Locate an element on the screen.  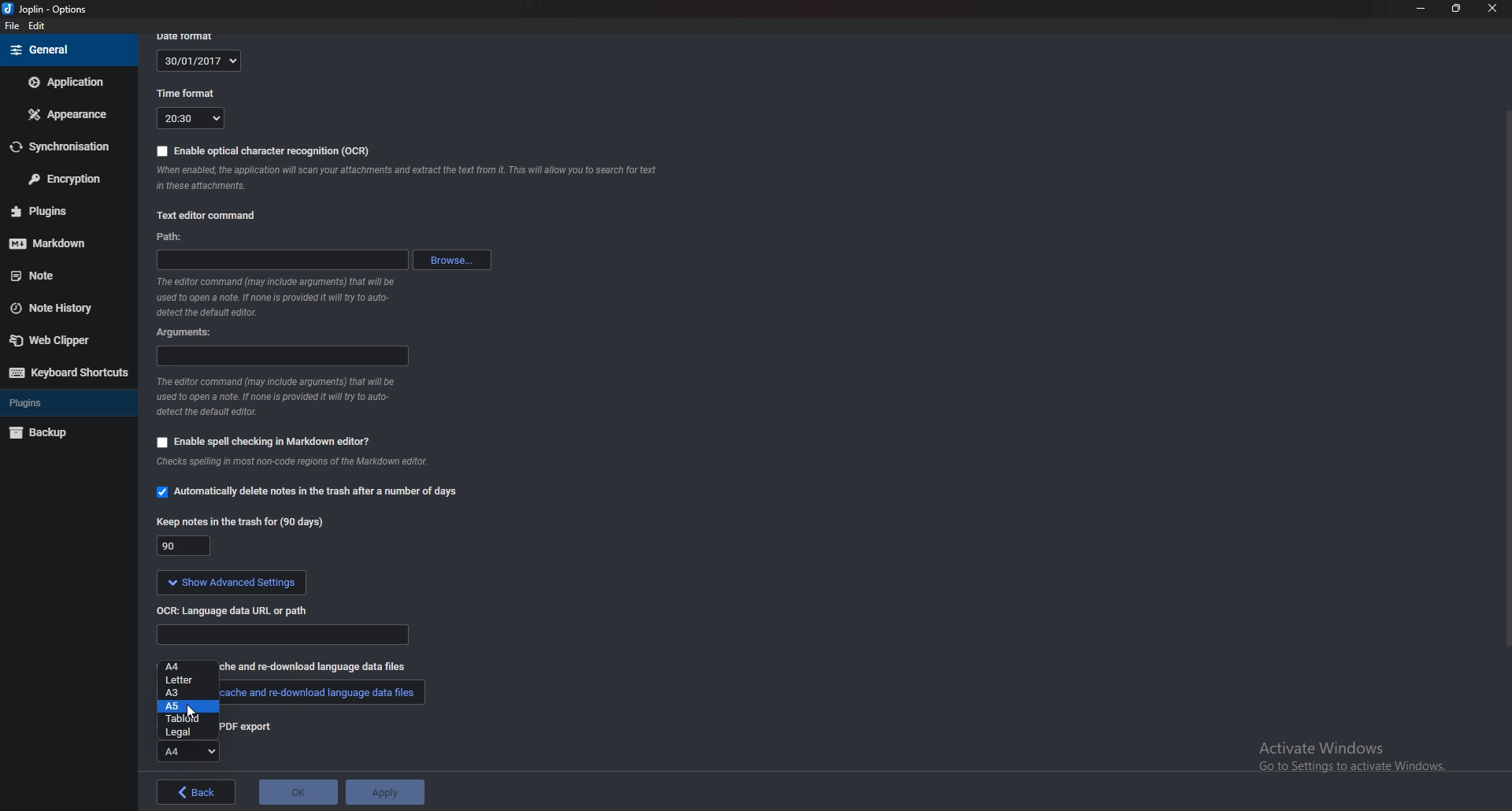
back is located at coordinates (195, 792).